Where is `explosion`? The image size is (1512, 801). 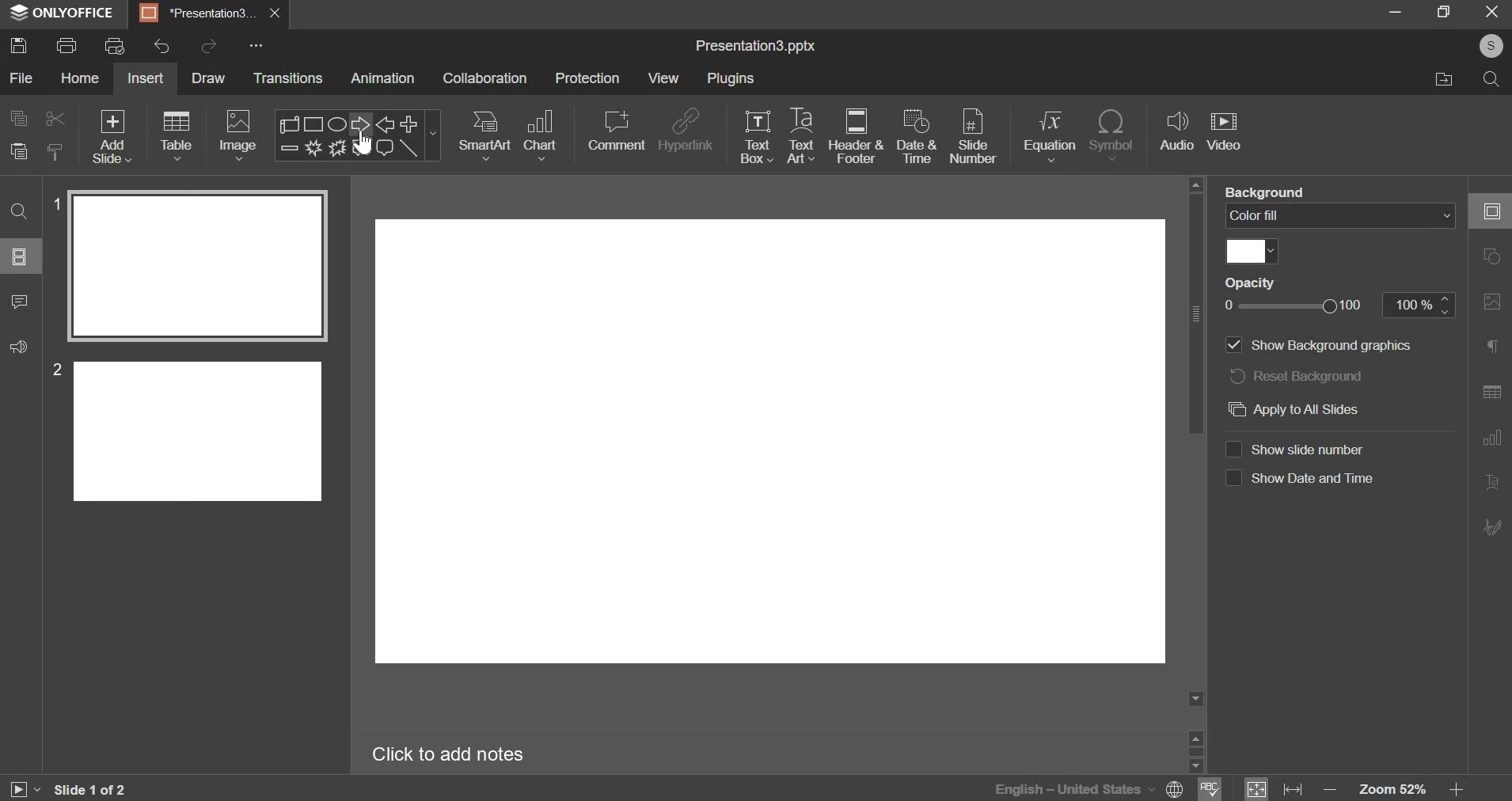
explosion is located at coordinates (311, 148).